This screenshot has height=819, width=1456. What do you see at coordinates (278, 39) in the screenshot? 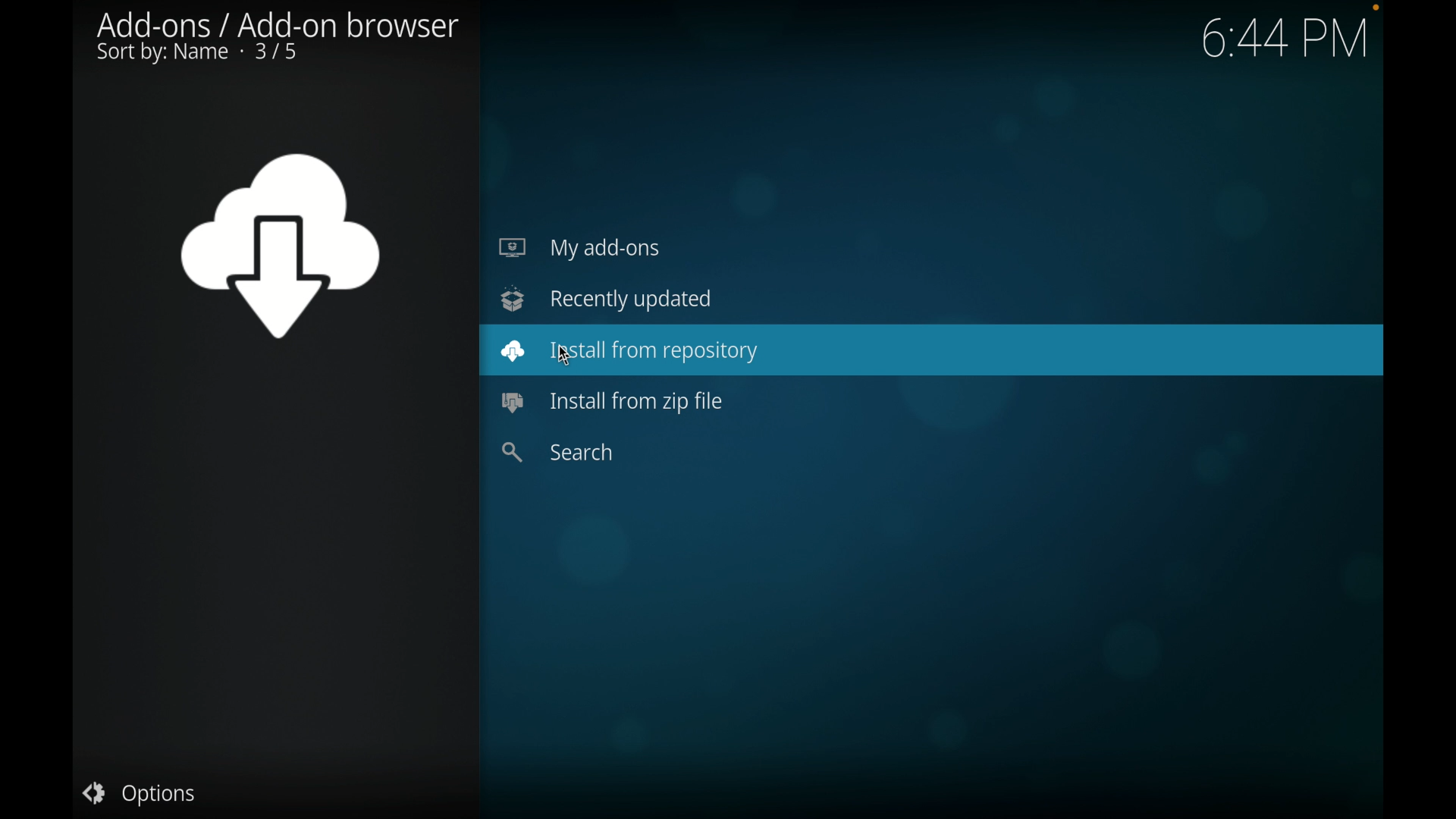
I see `add-ons/ add-on browser` at bounding box center [278, 39].